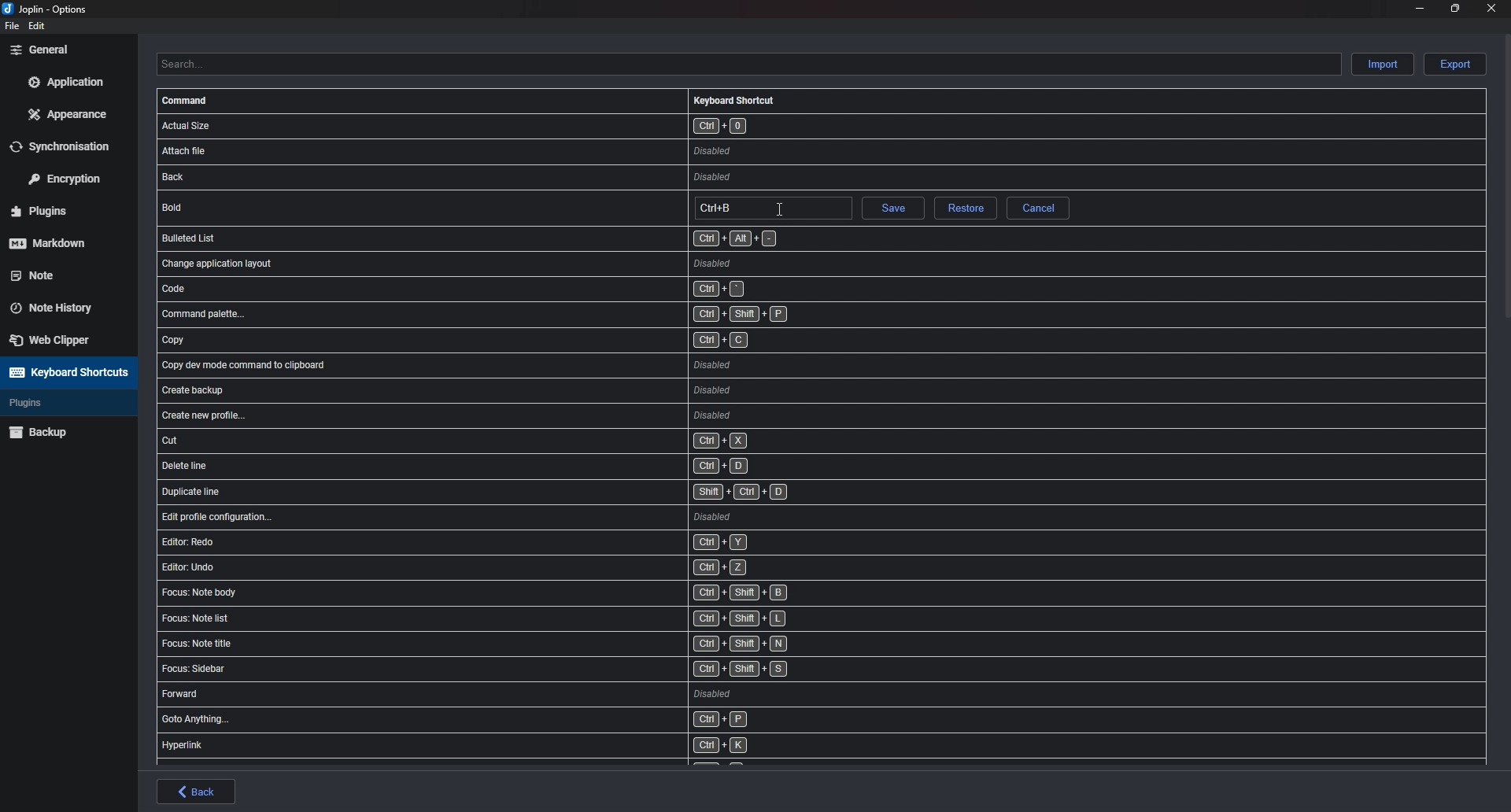 The height and width of the screenshot is (812, 1511). I want to click on hotkey, so click(771, 209).